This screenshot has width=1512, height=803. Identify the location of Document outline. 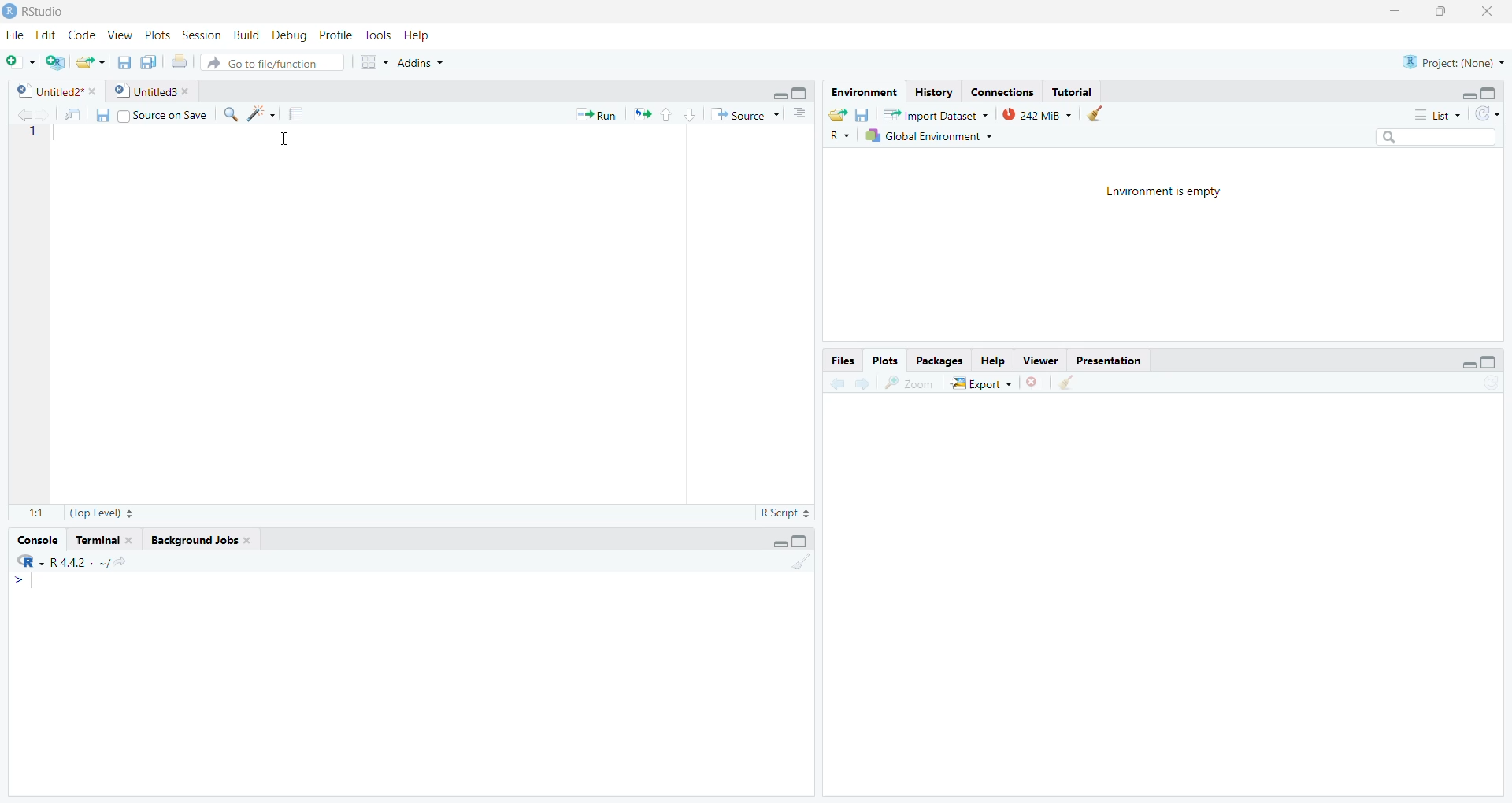
(800, 116).